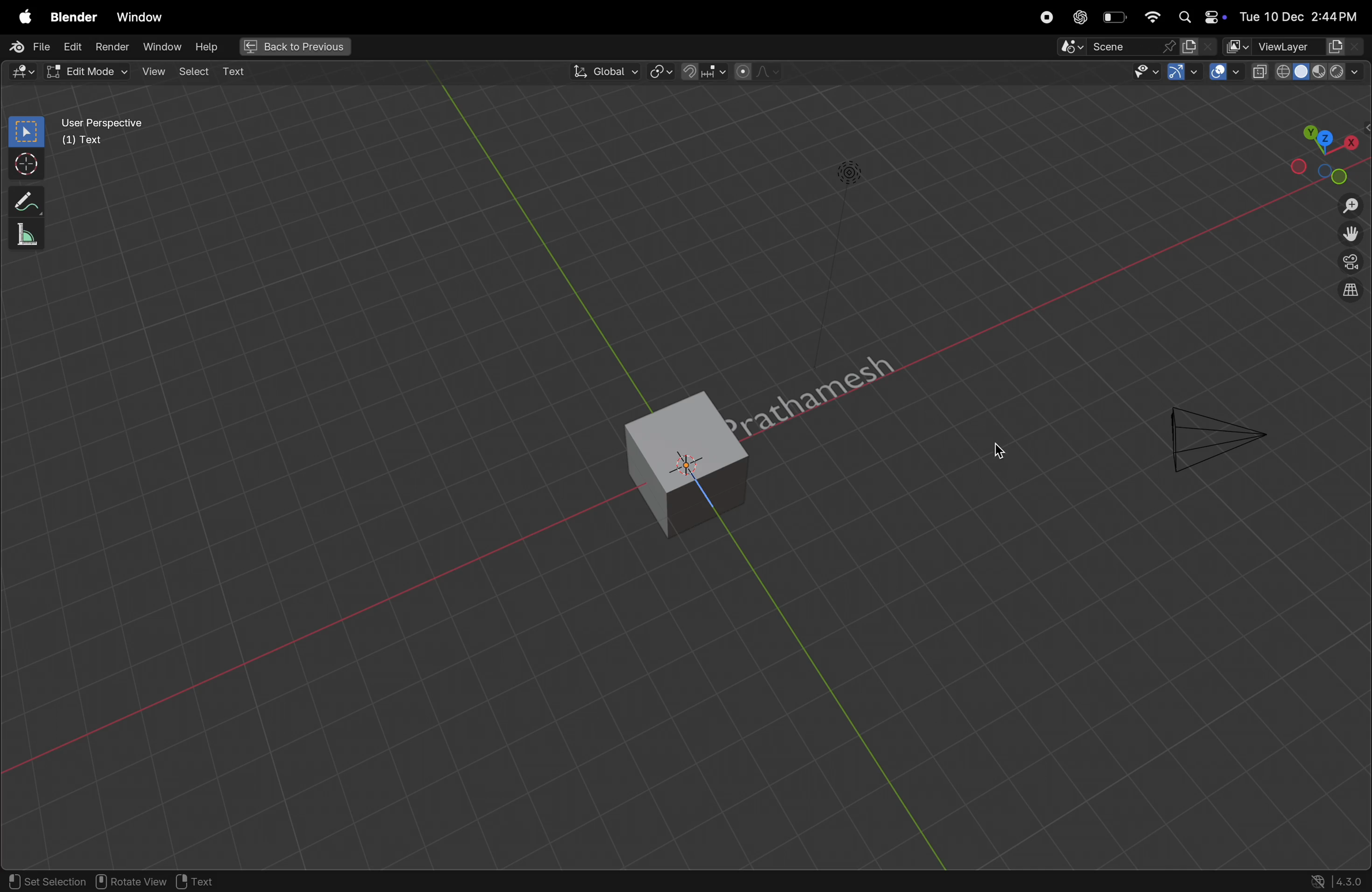 This screenshot has width=1372, height=892. I want to click on view point, so click(1328, 151).